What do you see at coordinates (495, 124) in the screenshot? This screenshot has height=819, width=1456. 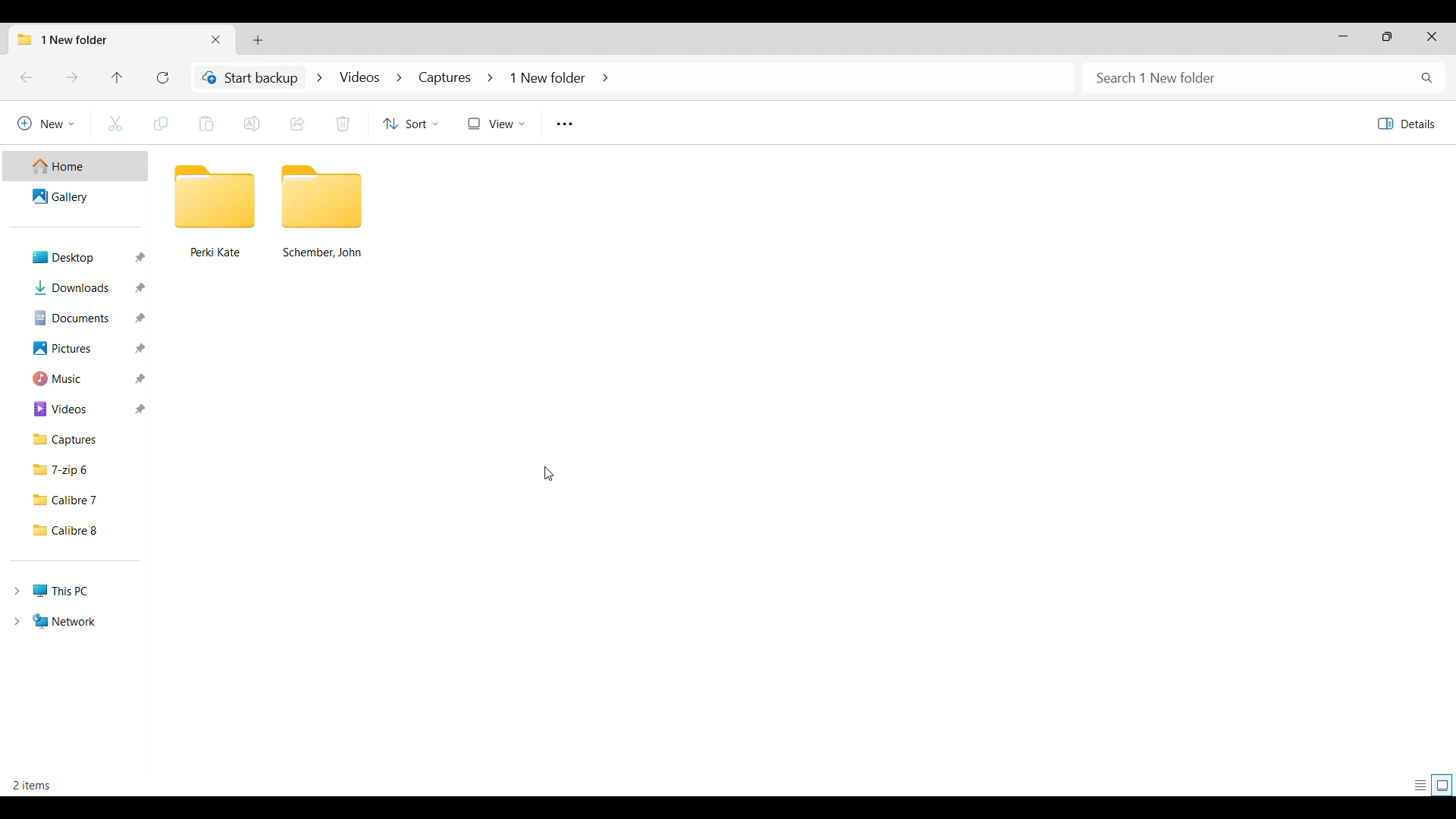 I see `View options` at bounding box center [495, 124].